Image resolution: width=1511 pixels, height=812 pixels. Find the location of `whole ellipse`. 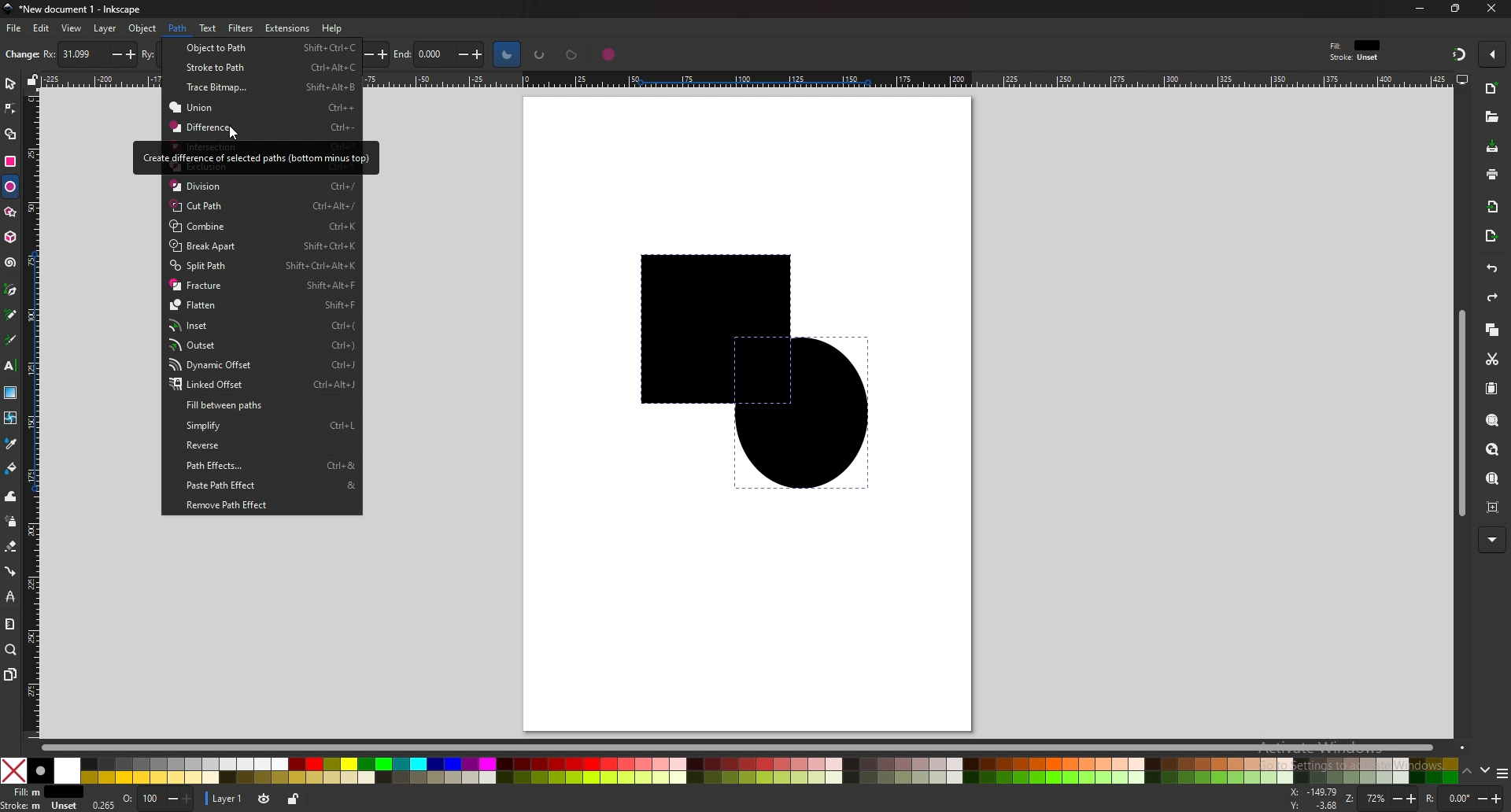

whole ellipse is located at coordinates (609, 54).